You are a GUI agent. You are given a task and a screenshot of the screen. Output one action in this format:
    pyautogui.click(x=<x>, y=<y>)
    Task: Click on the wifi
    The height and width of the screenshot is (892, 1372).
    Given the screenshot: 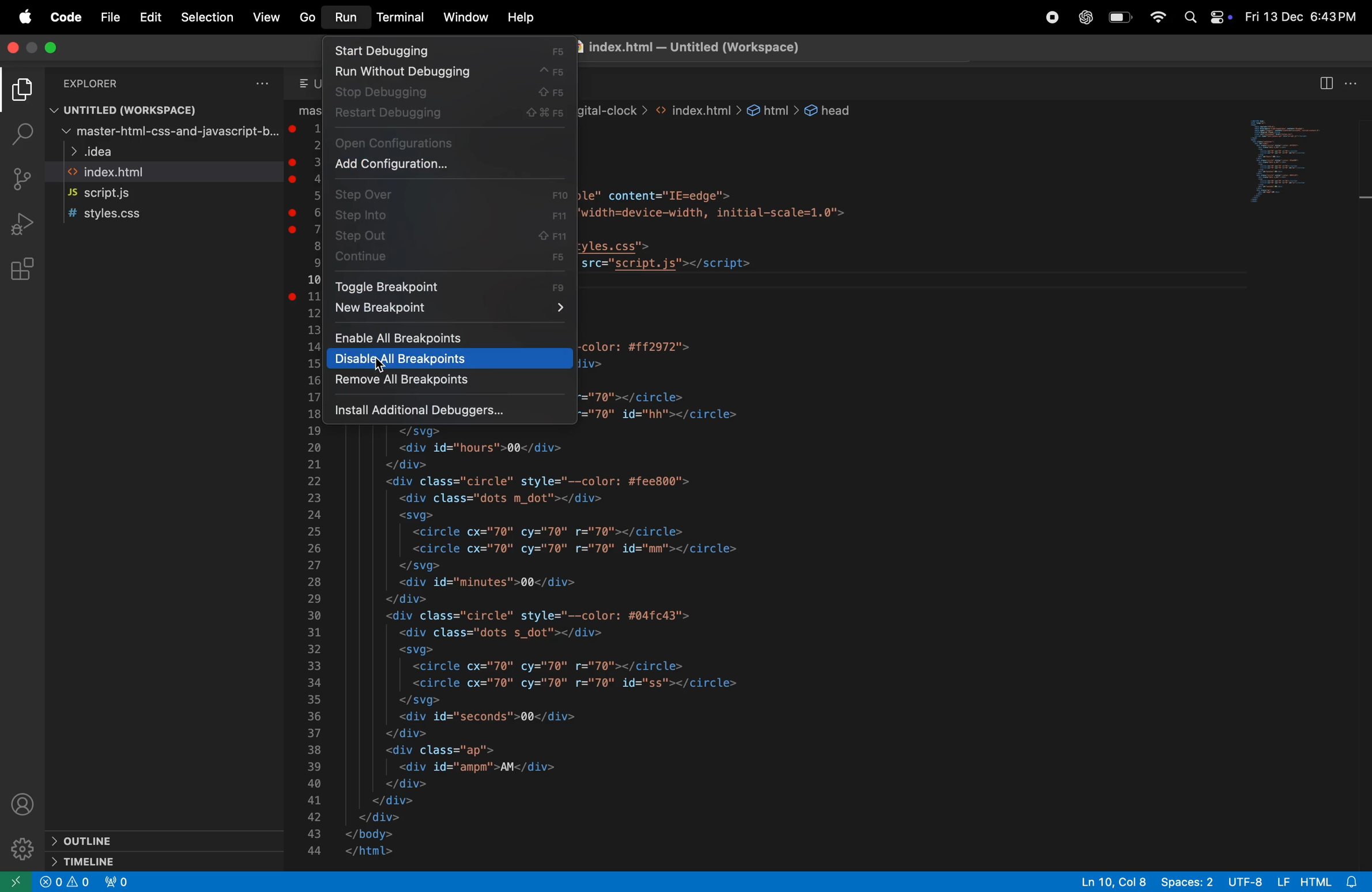 What is the action you would take?
    pyautogui.click(x=1159, y=17)
    